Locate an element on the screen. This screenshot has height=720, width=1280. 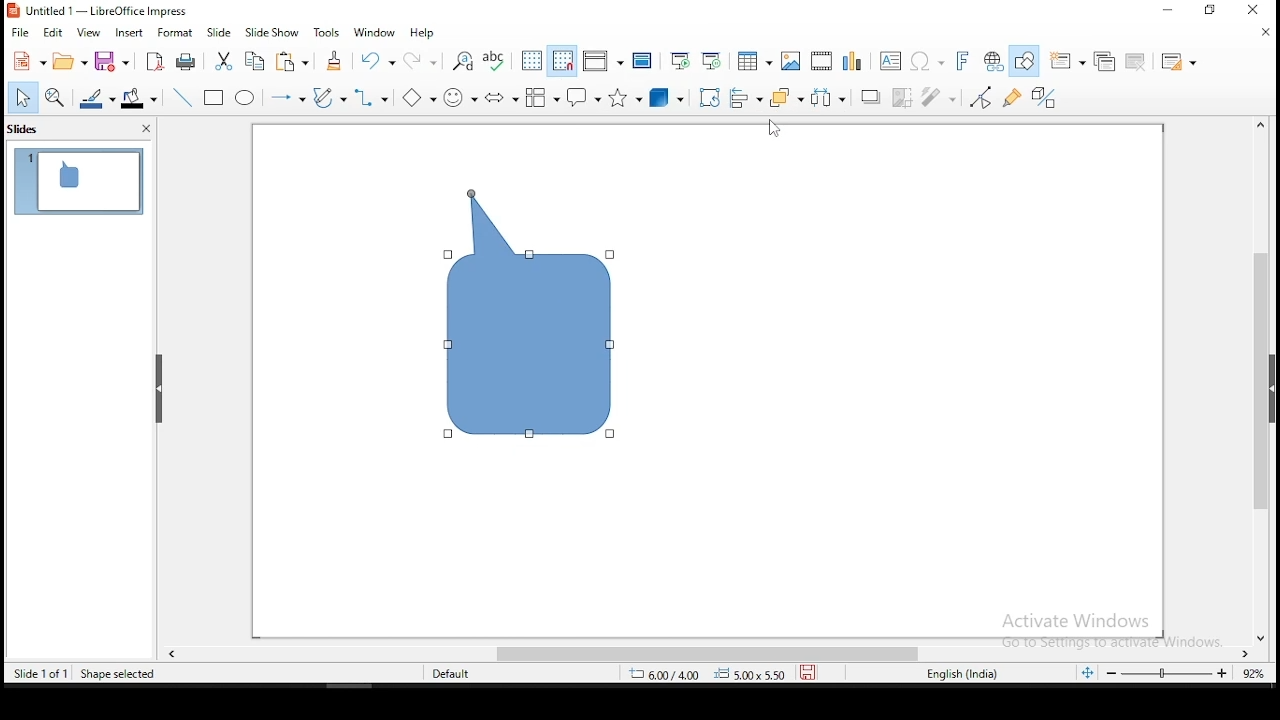
scroll bar is located at coordinates (1259, 378).